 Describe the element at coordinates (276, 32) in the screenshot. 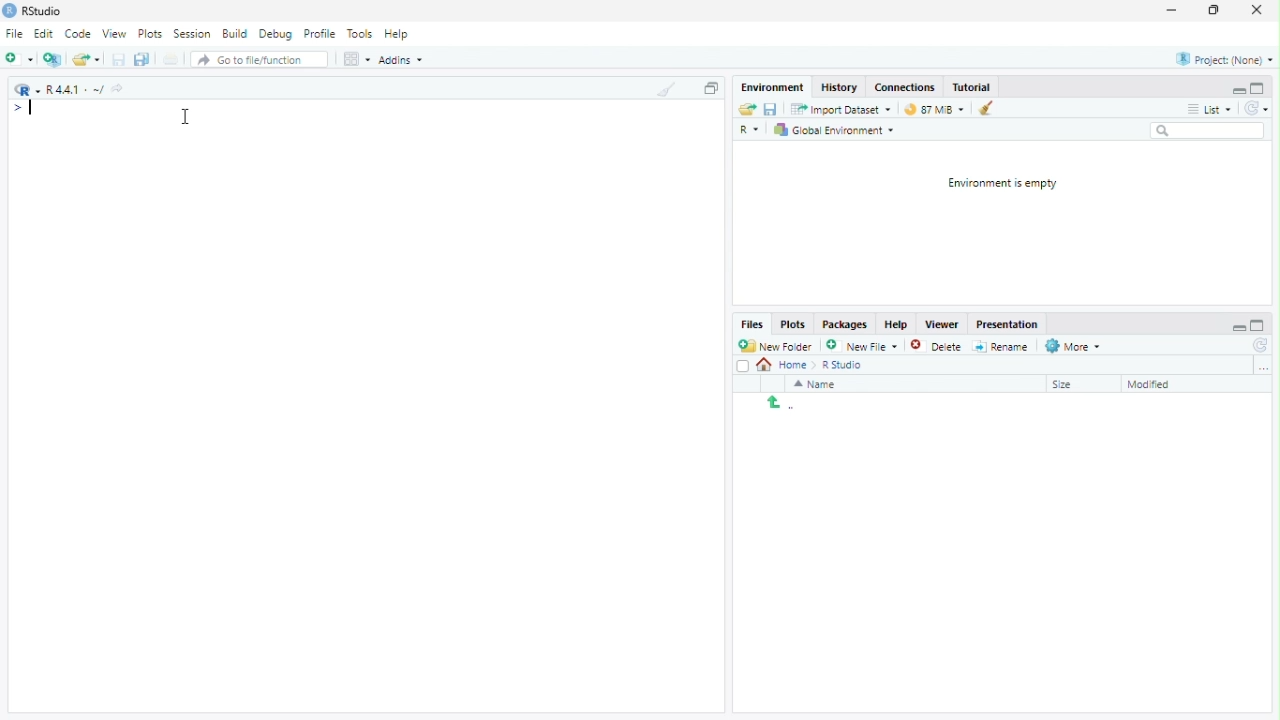

I see `Debug` at that location.